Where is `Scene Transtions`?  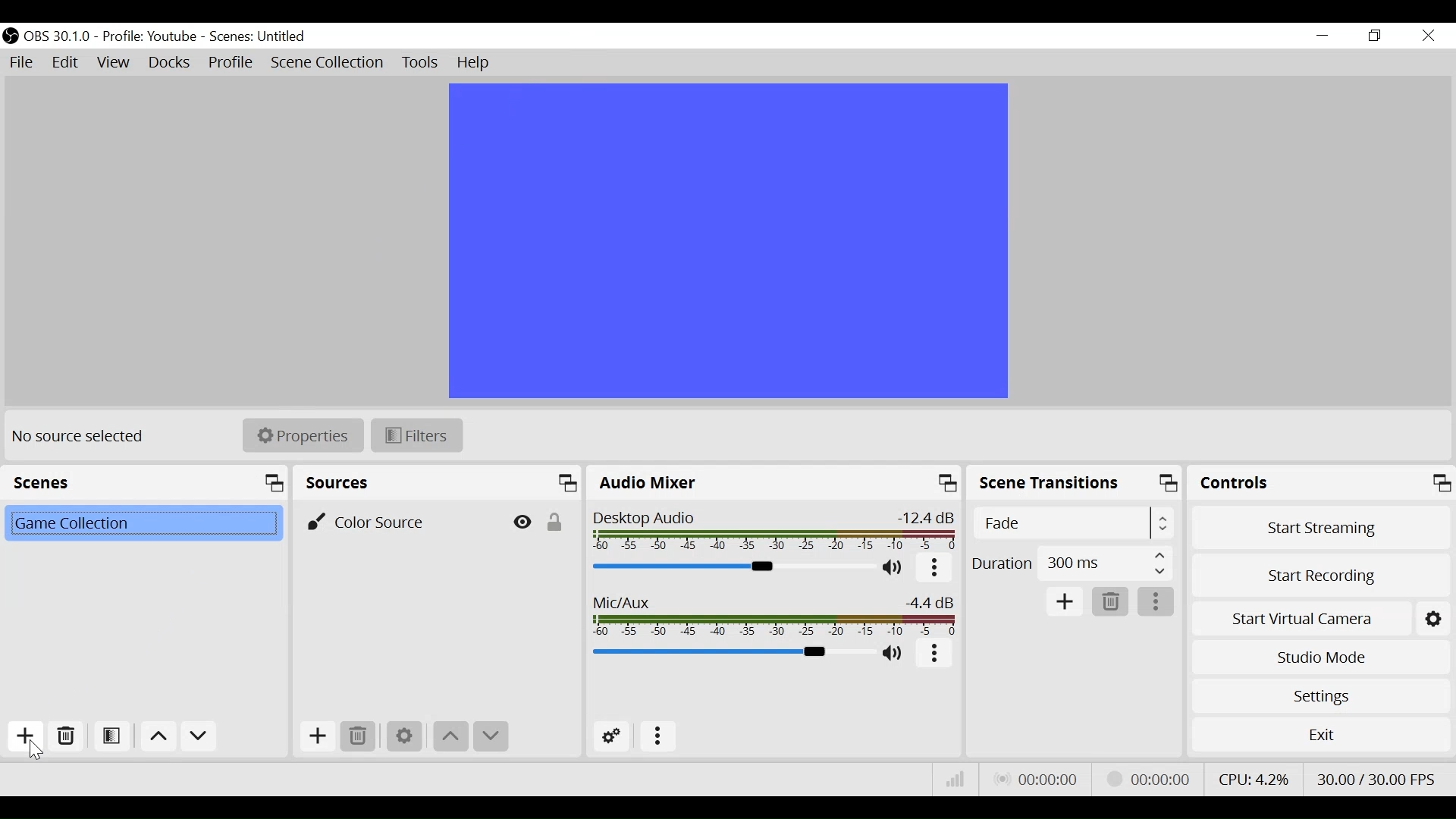
Scene Transtions is located at coordinates (1075, 483).